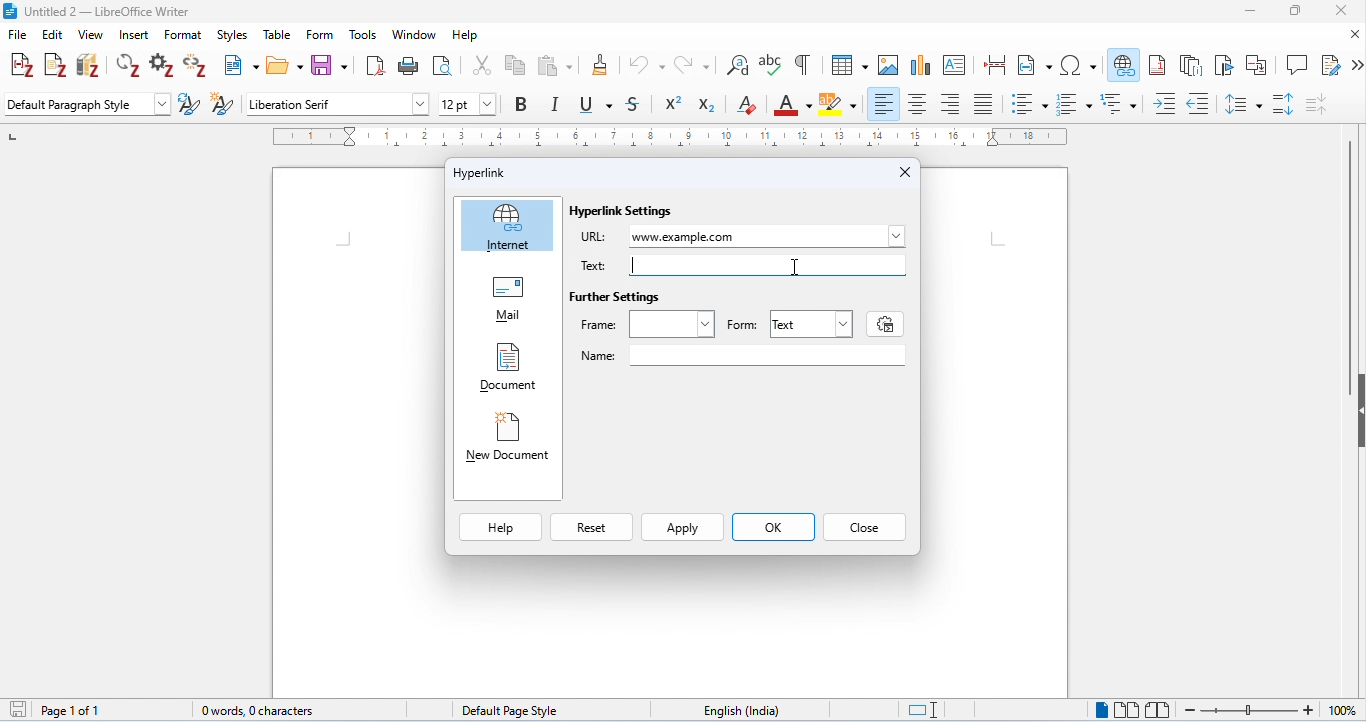  I want to click on export as pdf, so click(373, 66).